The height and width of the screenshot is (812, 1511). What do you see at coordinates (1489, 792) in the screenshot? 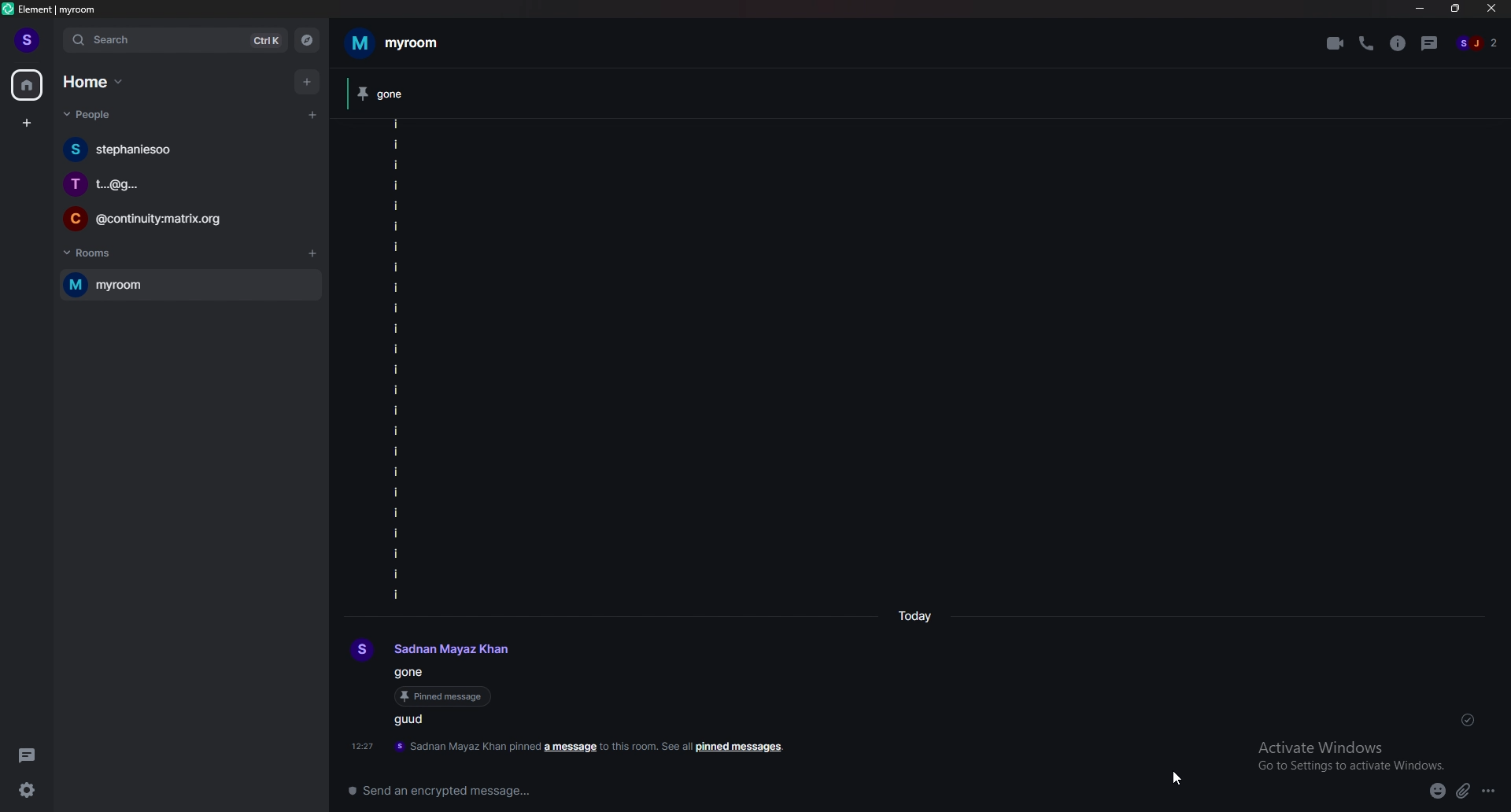
I see `options` at bounding box center [1489, 792].